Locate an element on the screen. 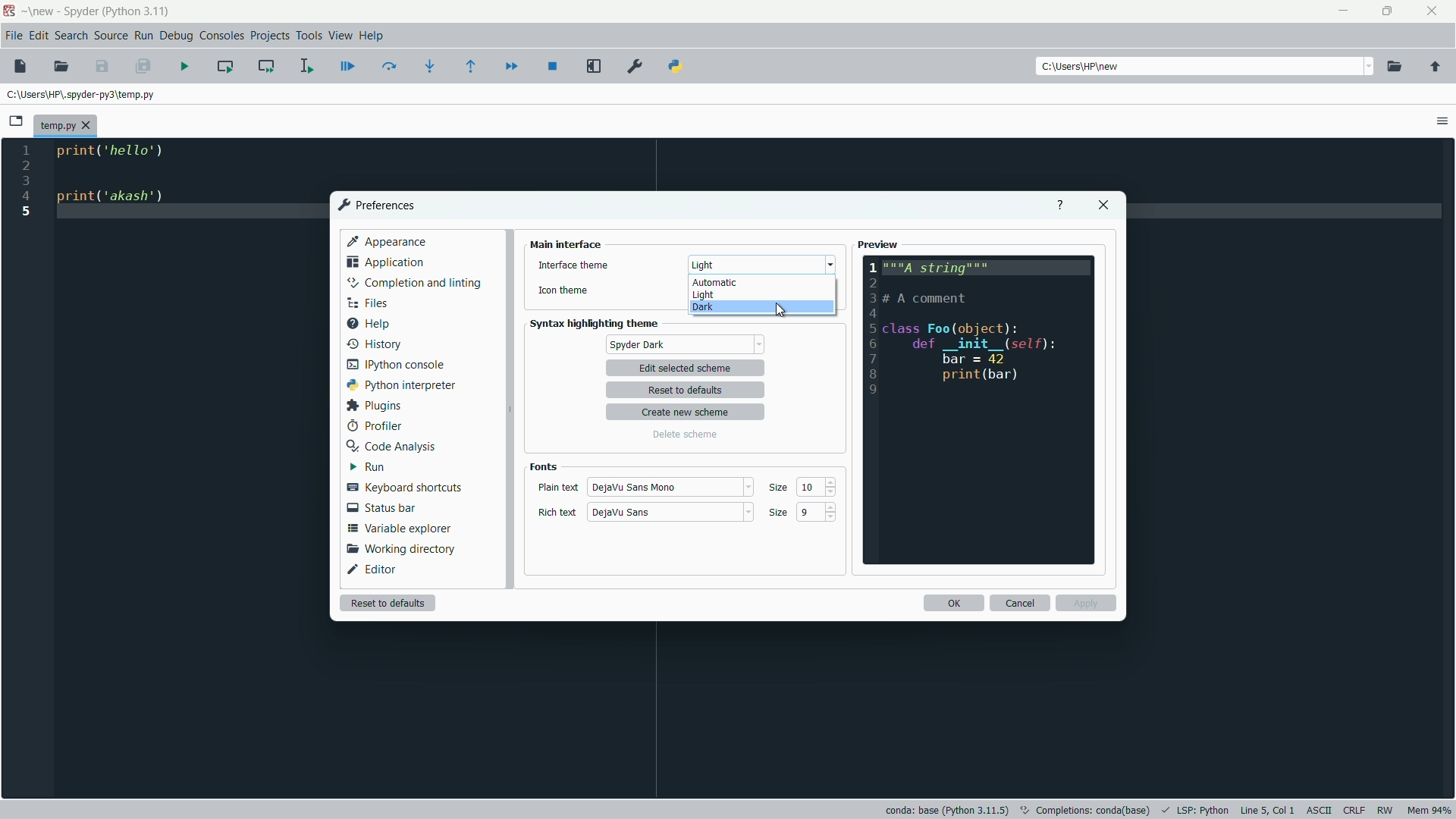 The height and width of the screenshot is (819, 1456). new is located at coordinates (42, 11).